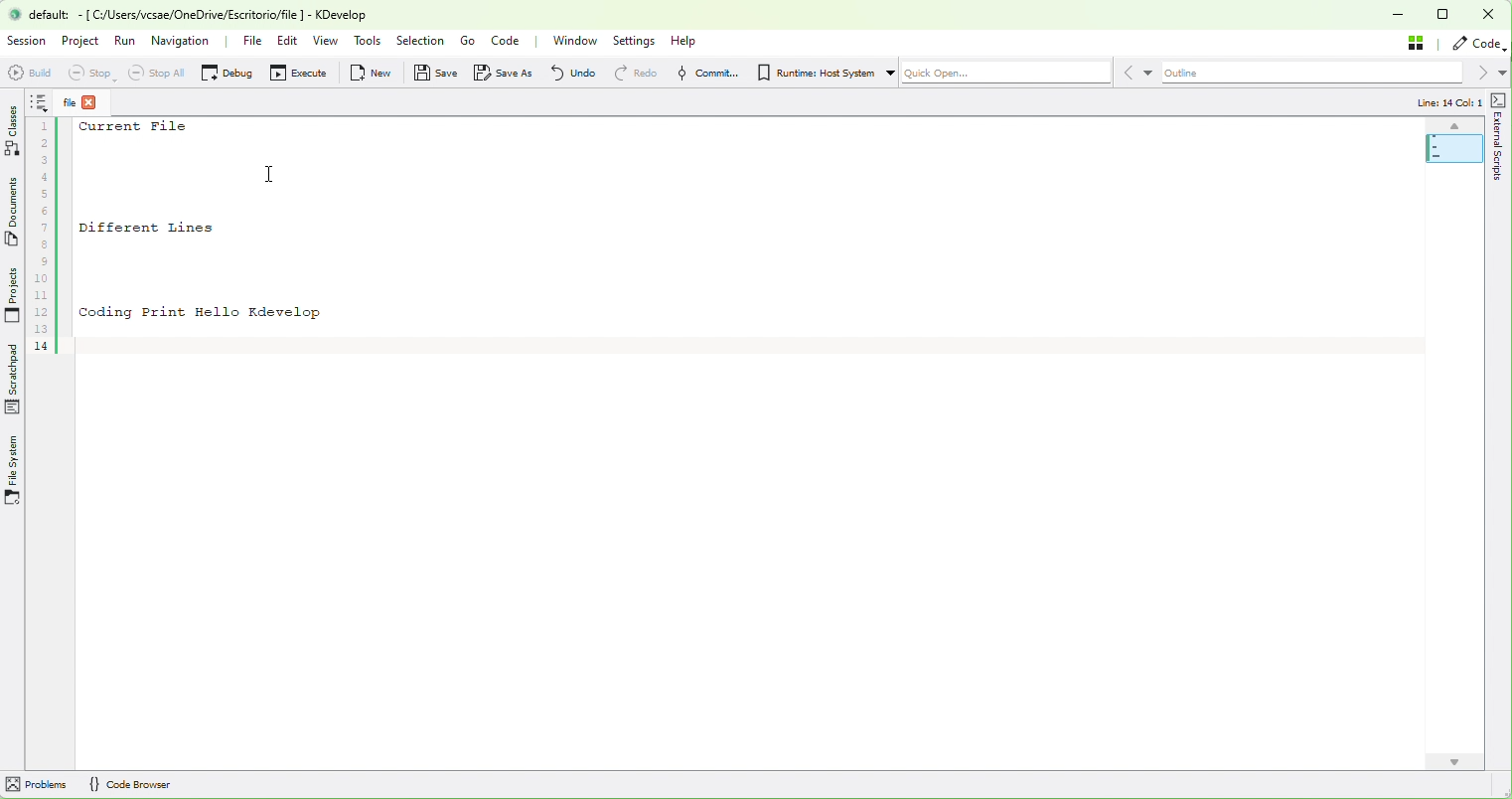 Image resolution: width=1512 pixels, height=799 pixels. I want to click on Commit, so click(702, 74).